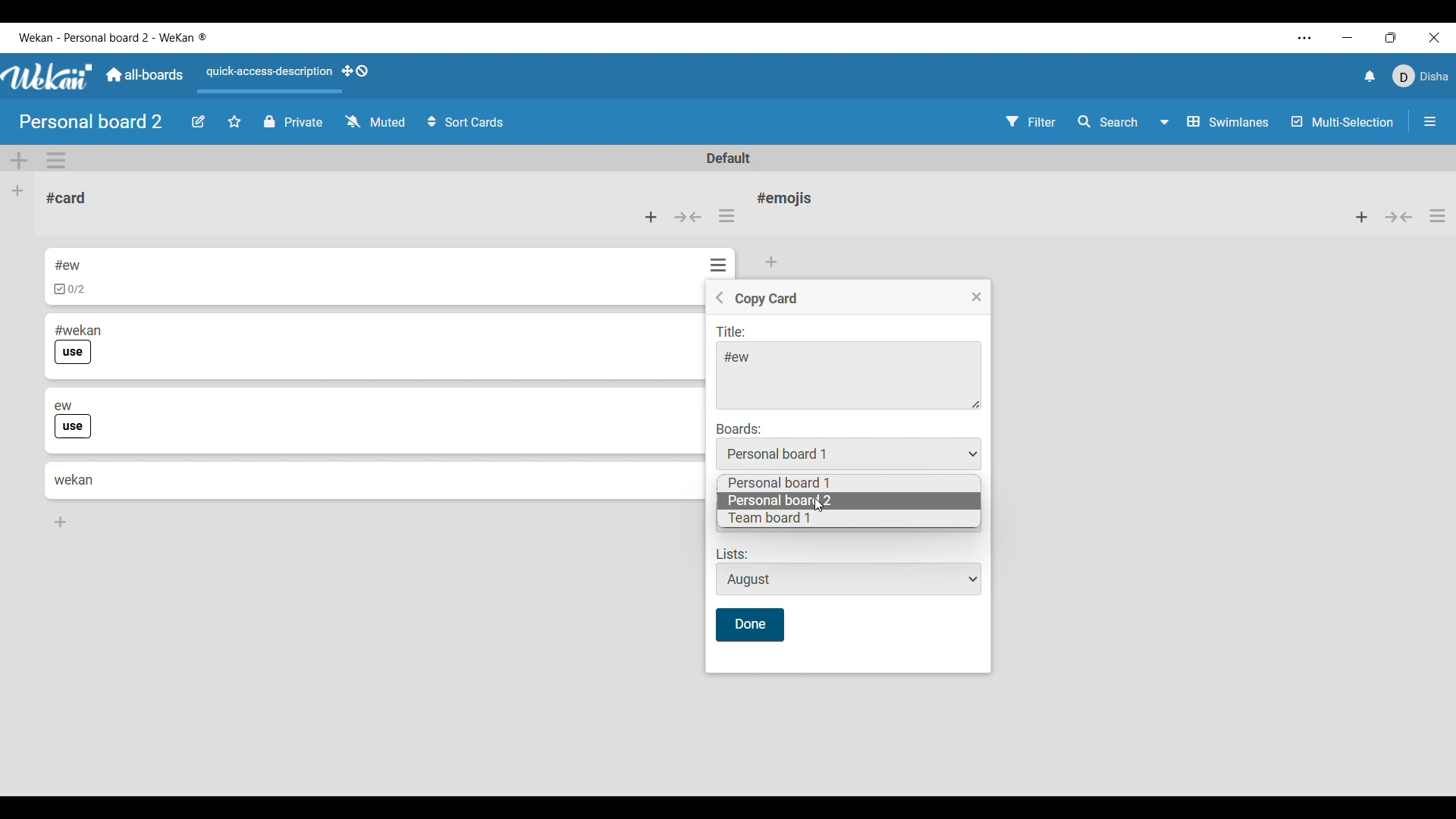 Image resolution: width=1456 pixels, height=819 pixels. What do you see at coordinates (112, 38) in the screenshot?
I see `Software name and board name` at bounding box center [112, 38].